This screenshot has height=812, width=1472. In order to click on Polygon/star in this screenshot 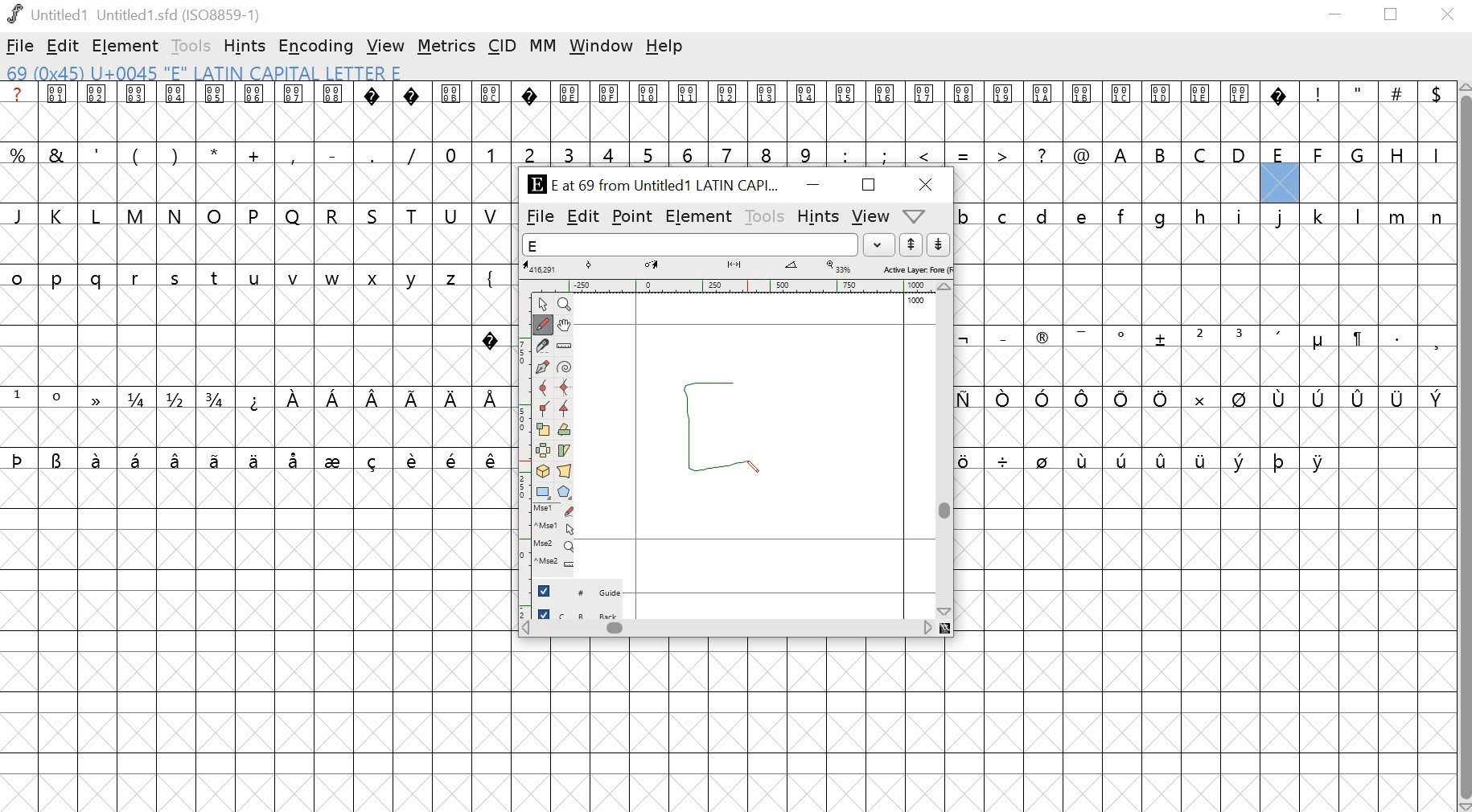, I will do `click(562, 493)`.